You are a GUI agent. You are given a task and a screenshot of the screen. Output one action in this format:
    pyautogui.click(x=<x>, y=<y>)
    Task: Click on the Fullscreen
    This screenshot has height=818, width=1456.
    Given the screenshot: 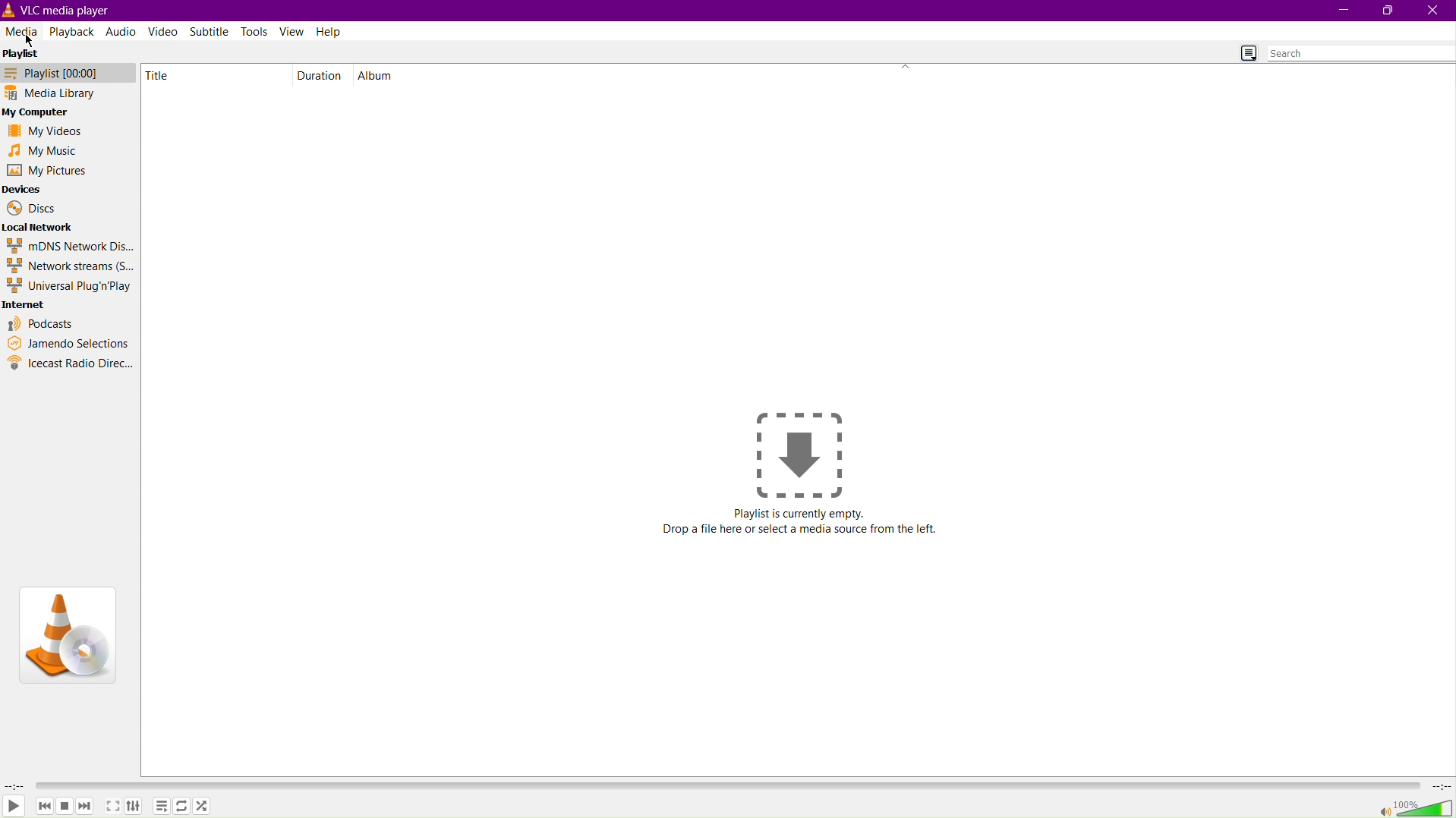 What is the action you would take?
    pyautogui.click(x=113, y=806)
    